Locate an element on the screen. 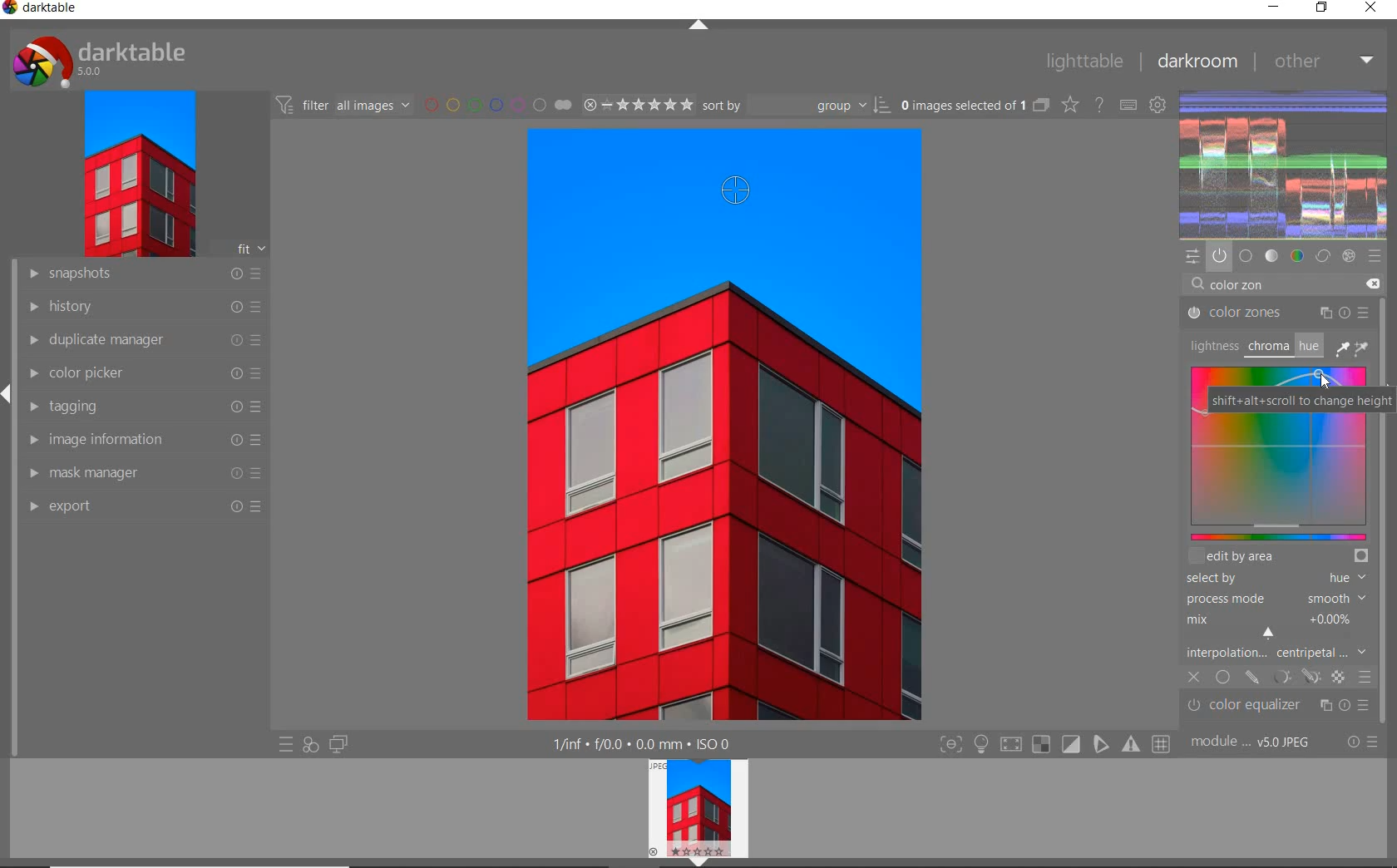 Image resolution: width=1397 pixels, height=868 pixels. dakroom is located at coordinates (1196, 61).